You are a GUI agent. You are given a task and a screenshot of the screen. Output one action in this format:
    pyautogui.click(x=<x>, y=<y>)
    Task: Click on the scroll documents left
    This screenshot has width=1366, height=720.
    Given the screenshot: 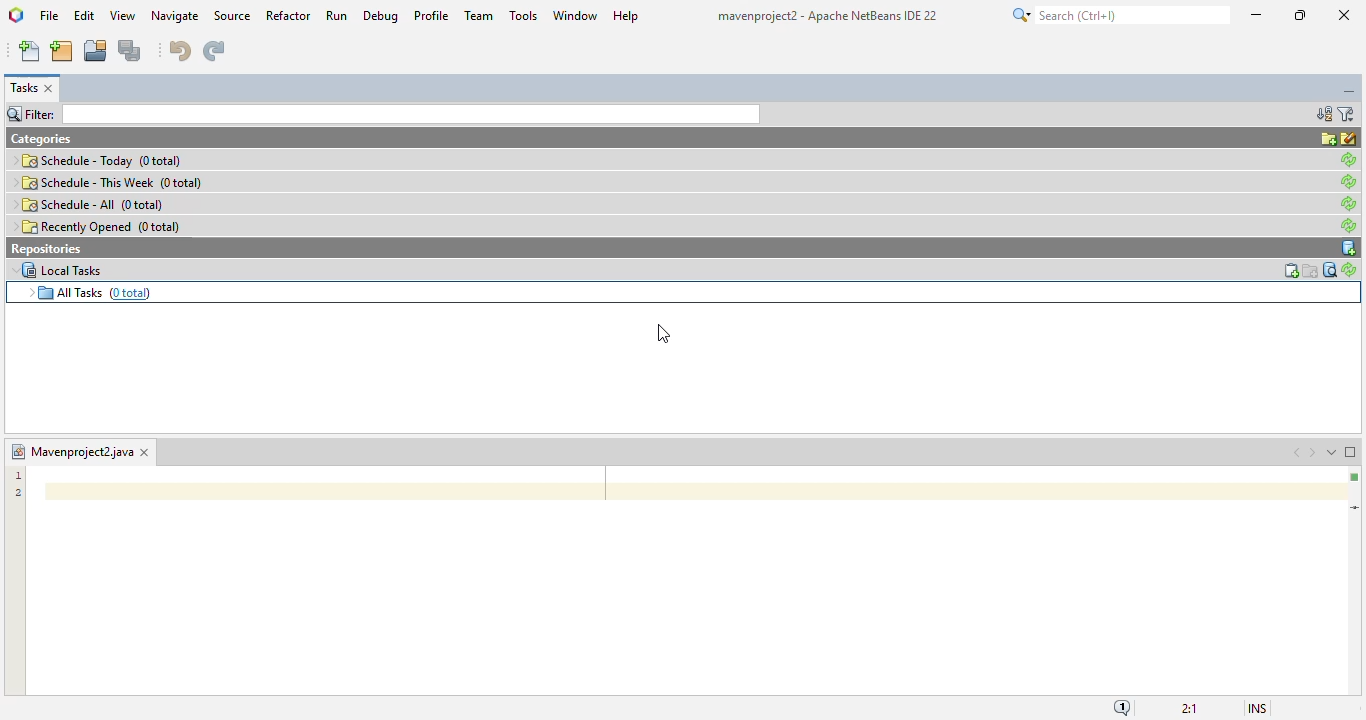 What is the action you would take?
    pyautogui.click(x=1299, y=453)
    